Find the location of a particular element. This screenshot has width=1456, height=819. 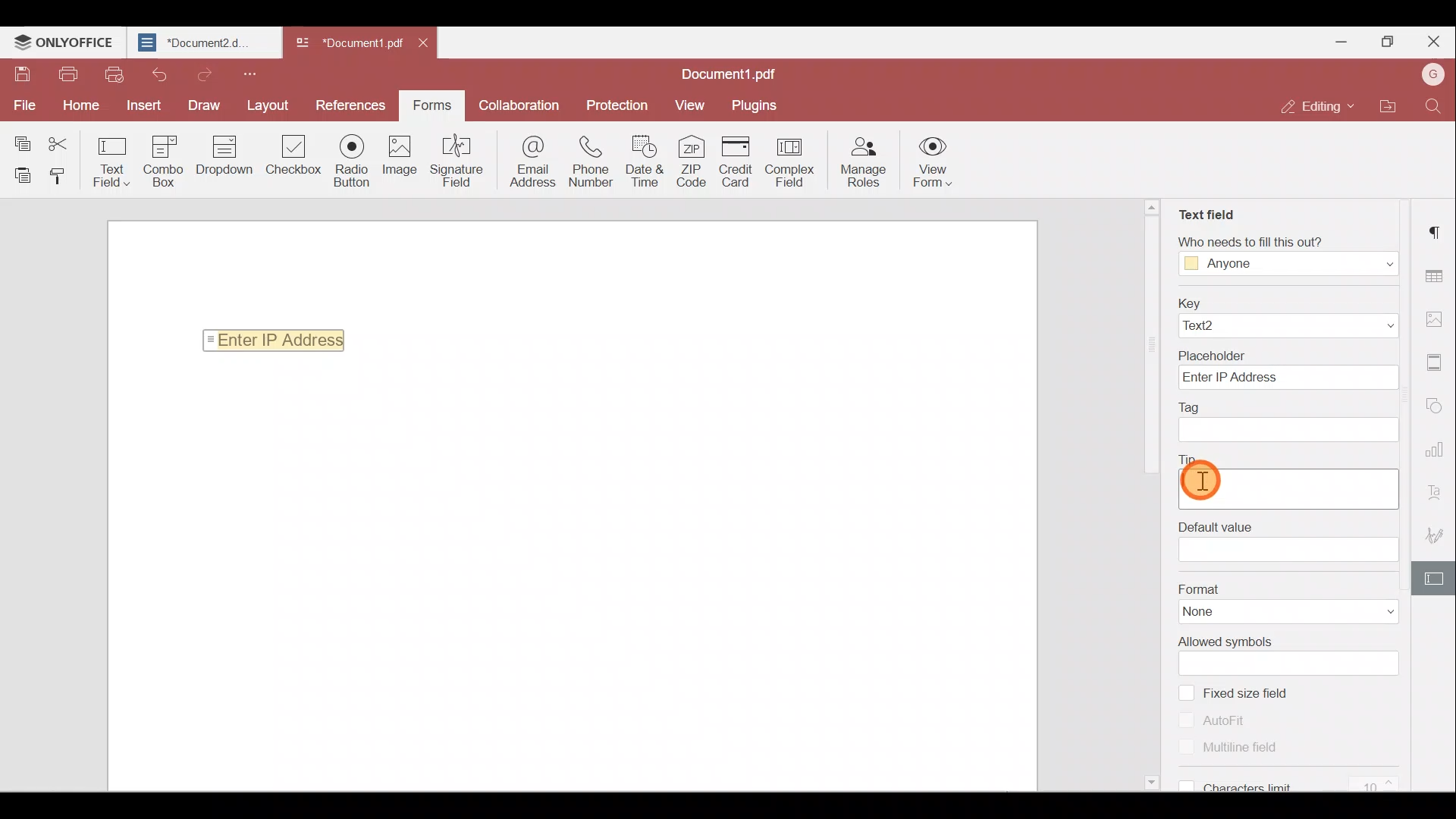

Draw is located at coordinates (199, 105).